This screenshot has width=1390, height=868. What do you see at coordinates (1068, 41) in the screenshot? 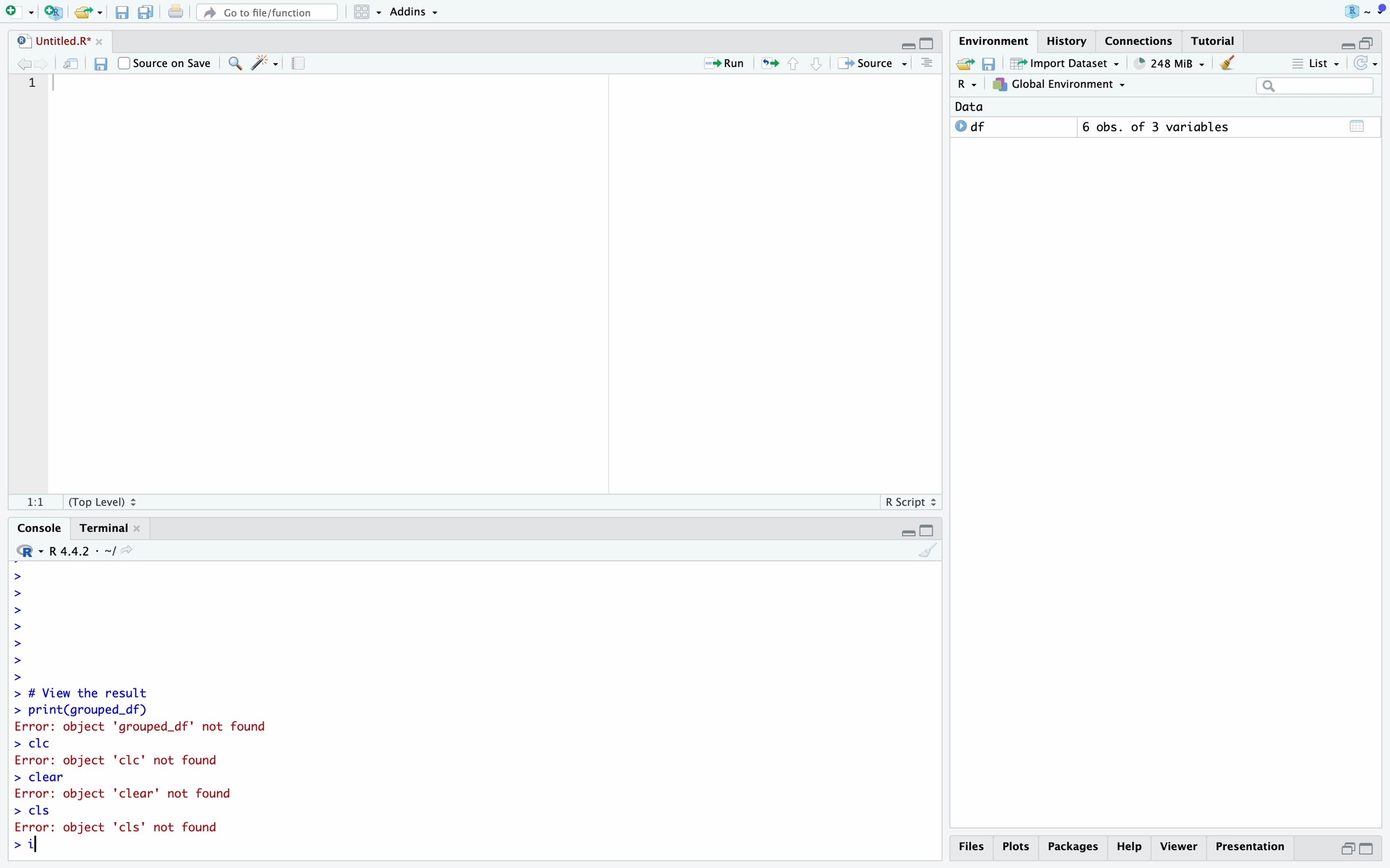
I see `History` at bounding box center [1068, 41].